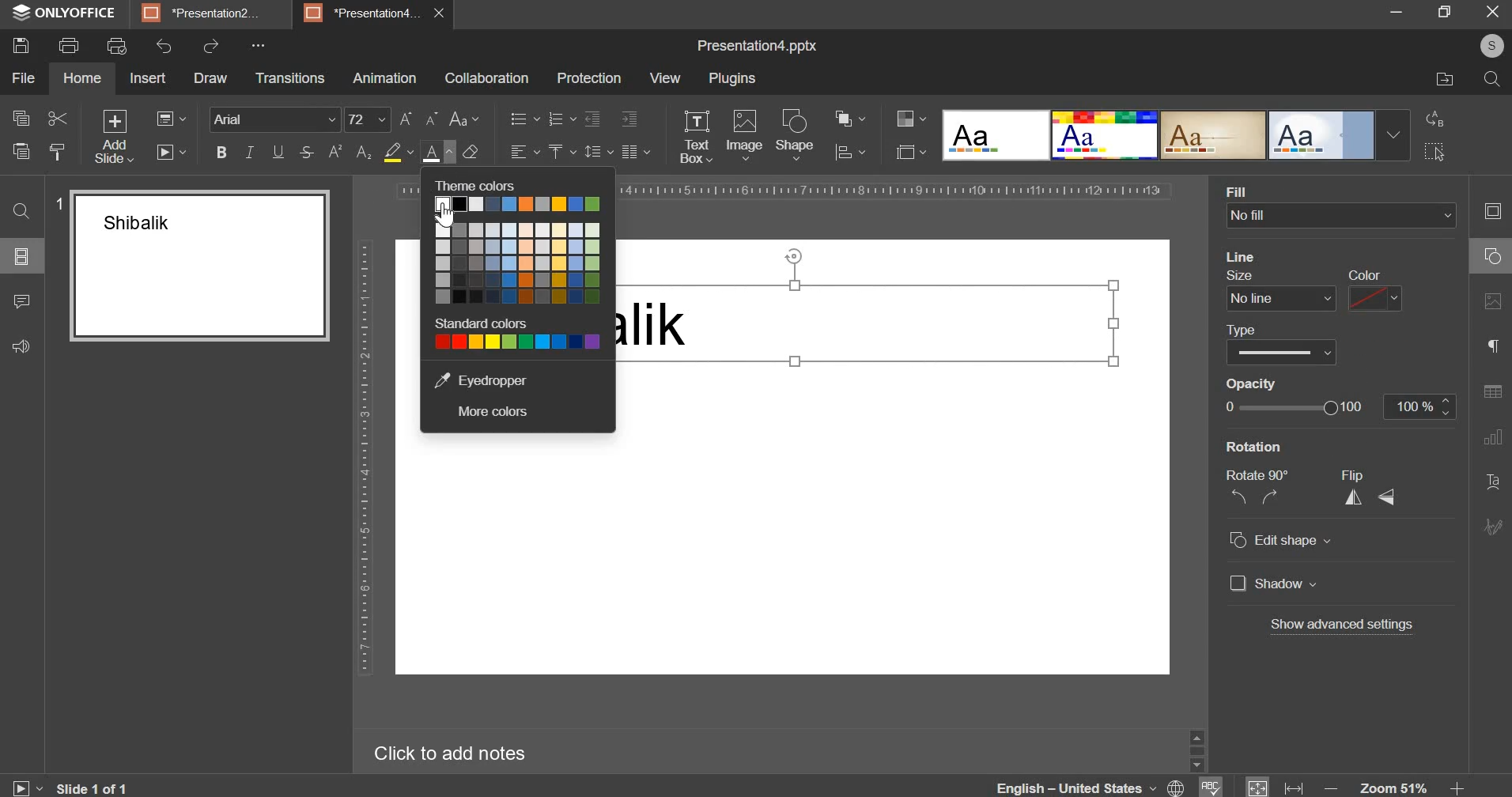  I want to click on change font size, so click(420, 118).